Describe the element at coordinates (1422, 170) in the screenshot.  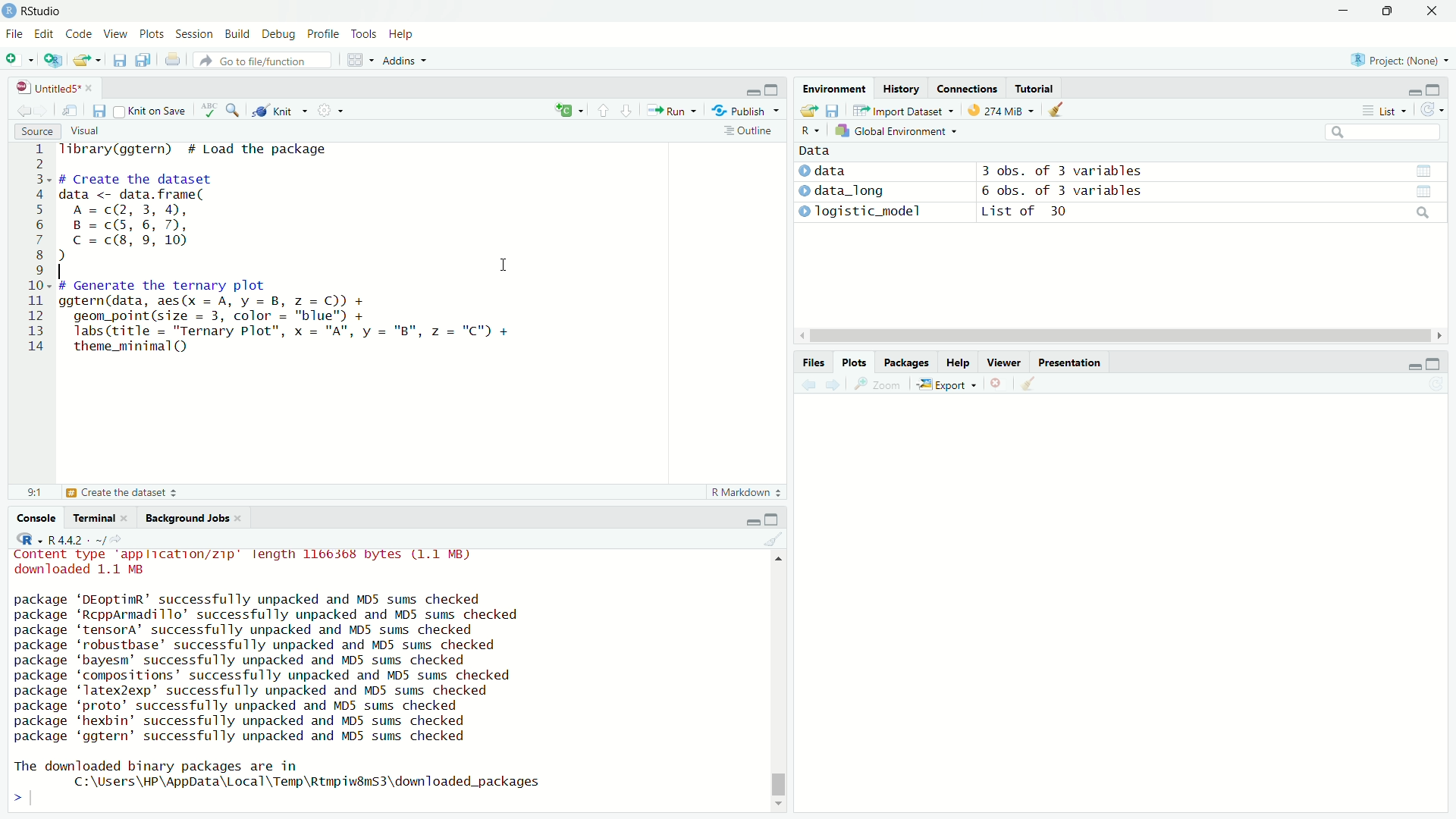
I see `view` at that location.